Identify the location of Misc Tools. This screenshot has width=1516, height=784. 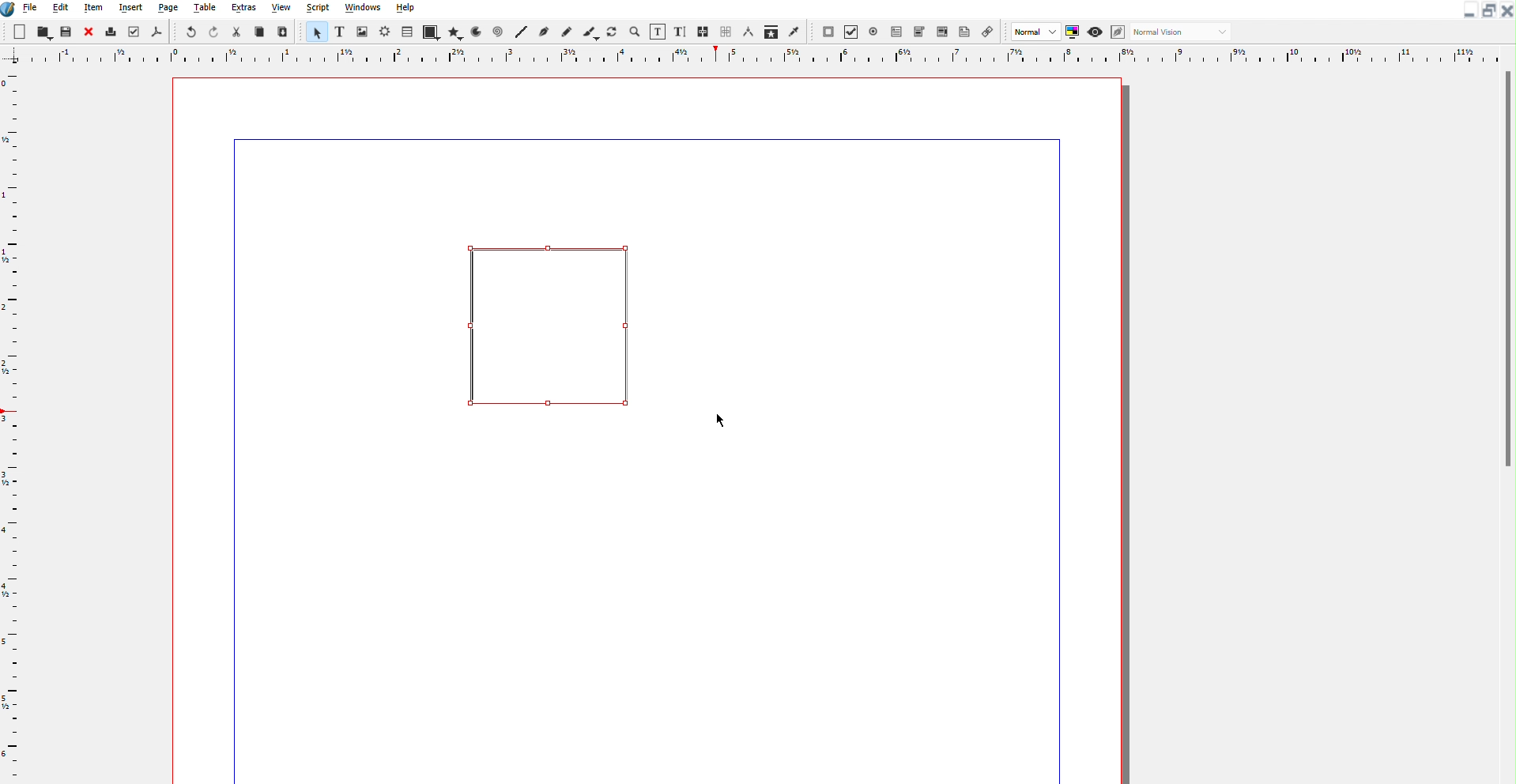
(773, 32).